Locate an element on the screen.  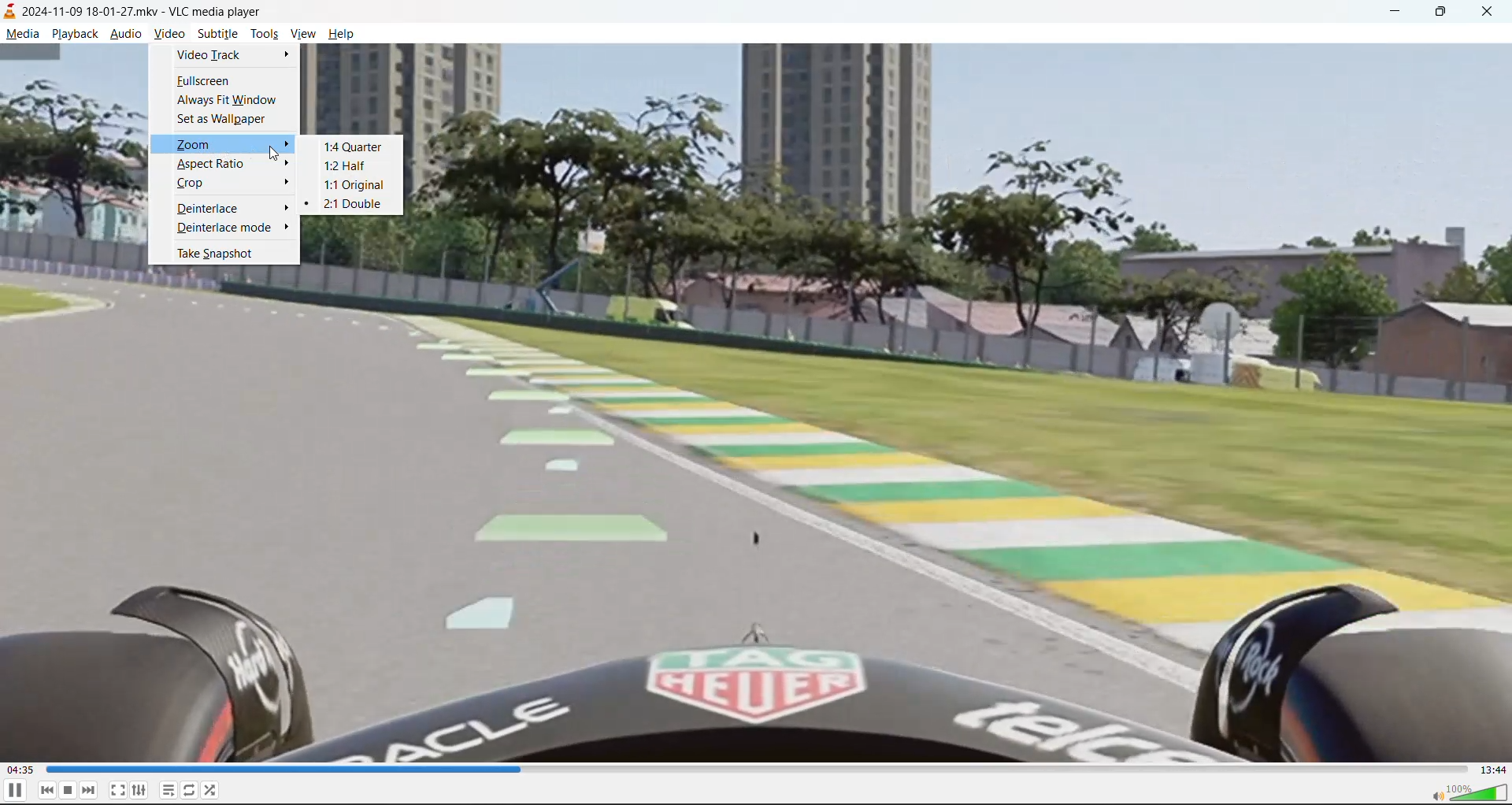
total track time is located at coordinates (1494, 770).